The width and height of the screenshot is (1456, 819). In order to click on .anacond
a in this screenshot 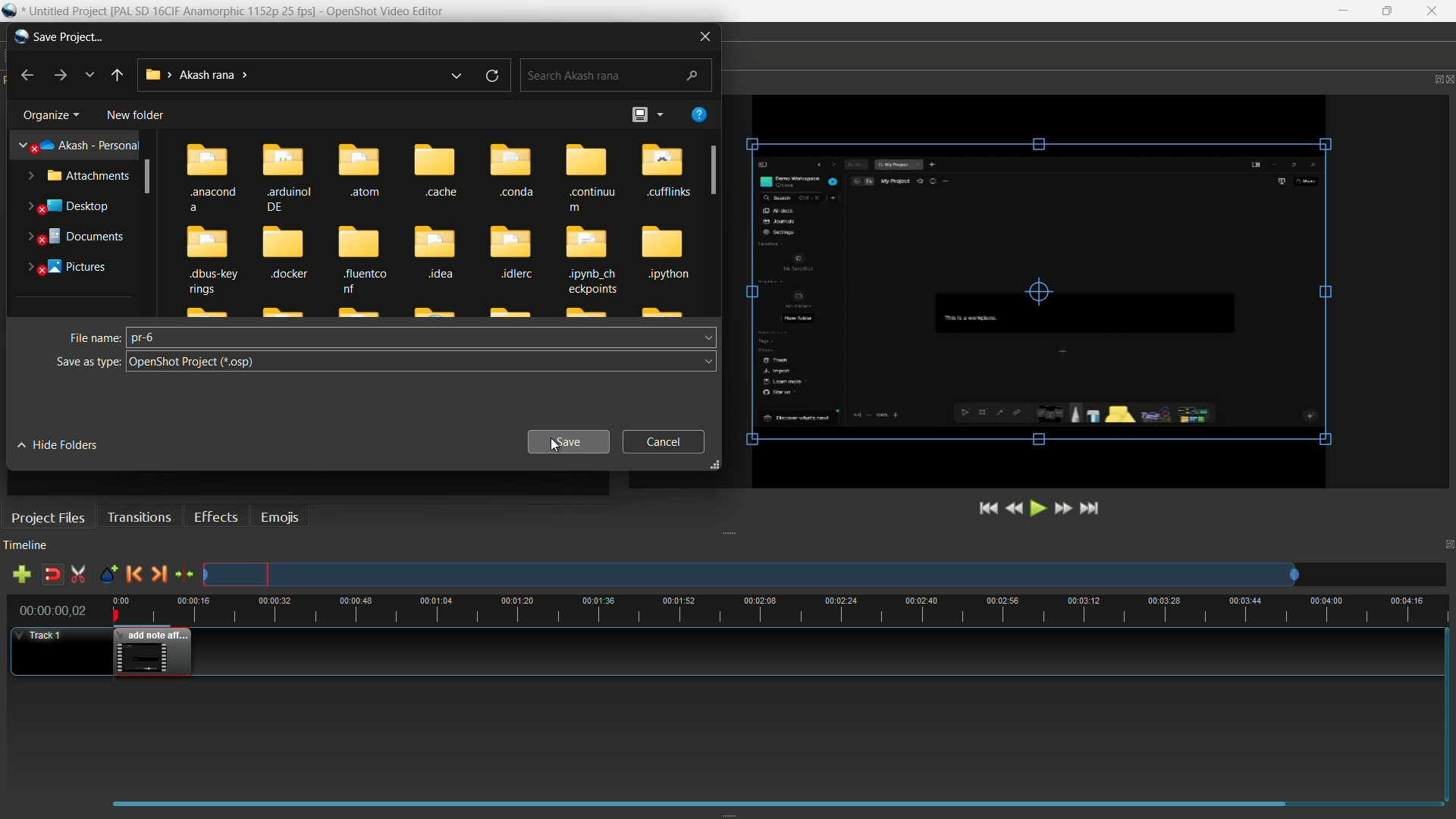, I will do `click(206, 175)`.